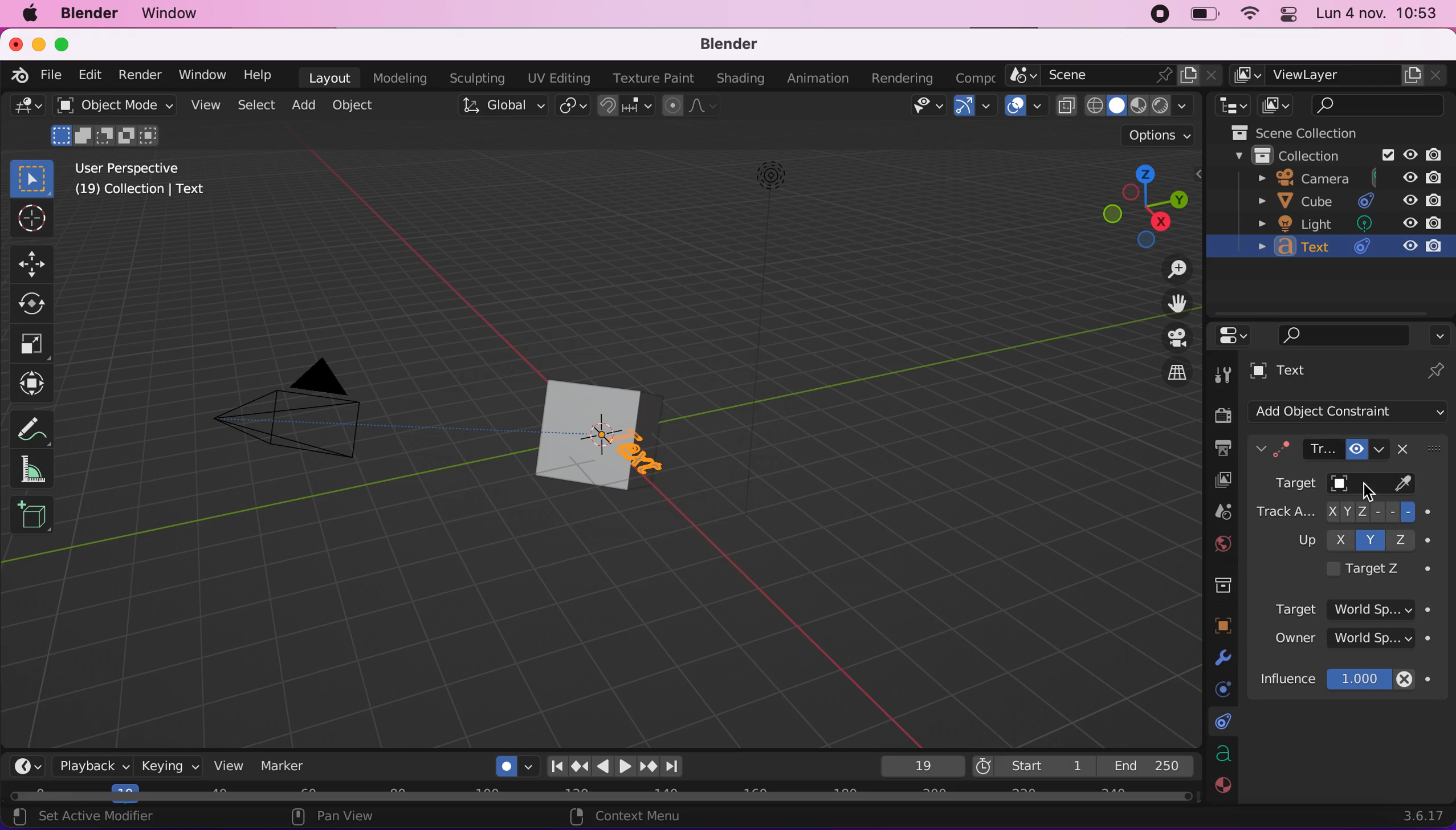 The height and width of the screenshot is (830, 1456). What do you see at coordinates (64, 43) in the screenshot?
I see `maximize` at bounding box center [64, 43].